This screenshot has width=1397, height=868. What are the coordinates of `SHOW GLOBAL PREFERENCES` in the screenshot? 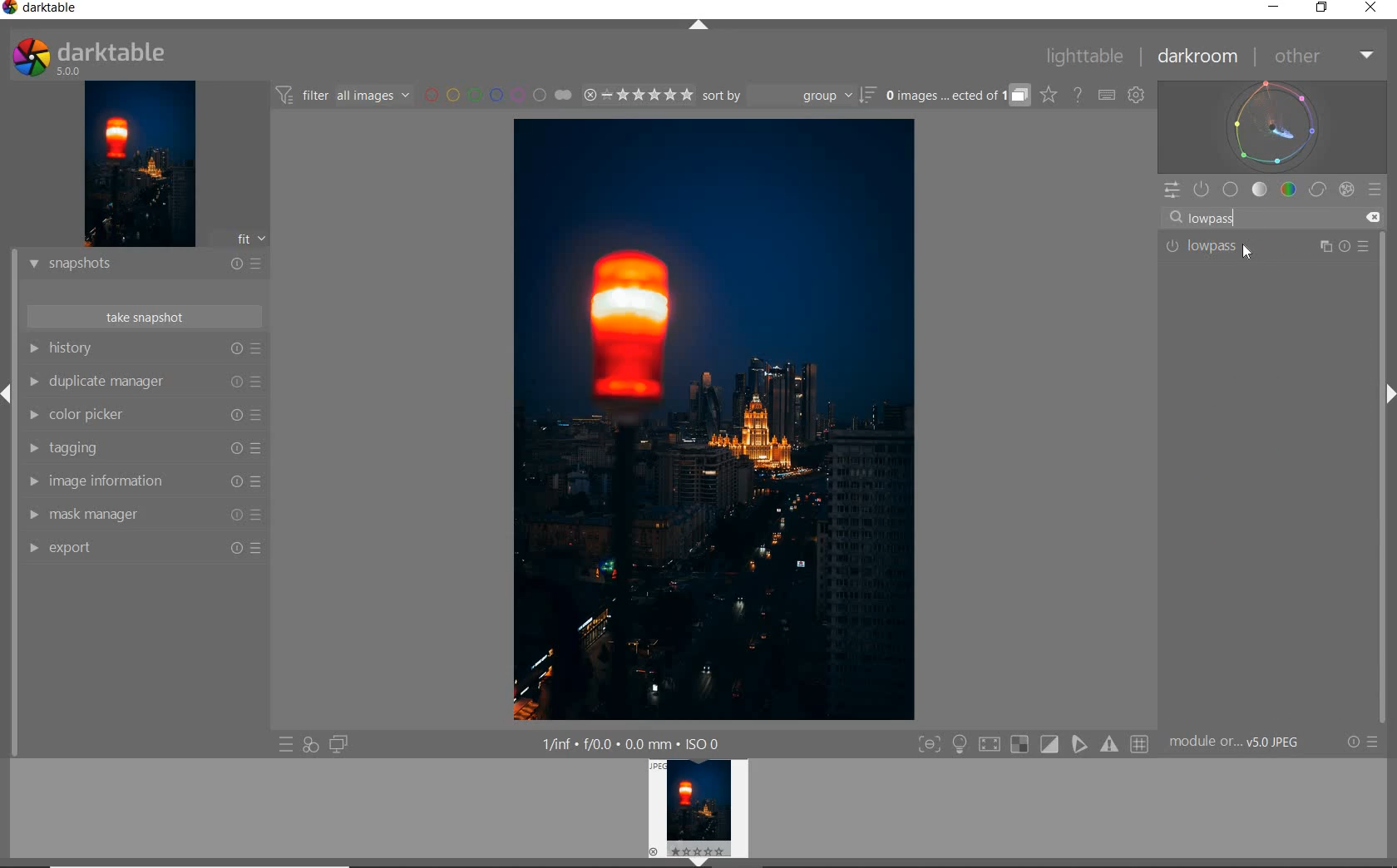 It's located at (1138, 96).